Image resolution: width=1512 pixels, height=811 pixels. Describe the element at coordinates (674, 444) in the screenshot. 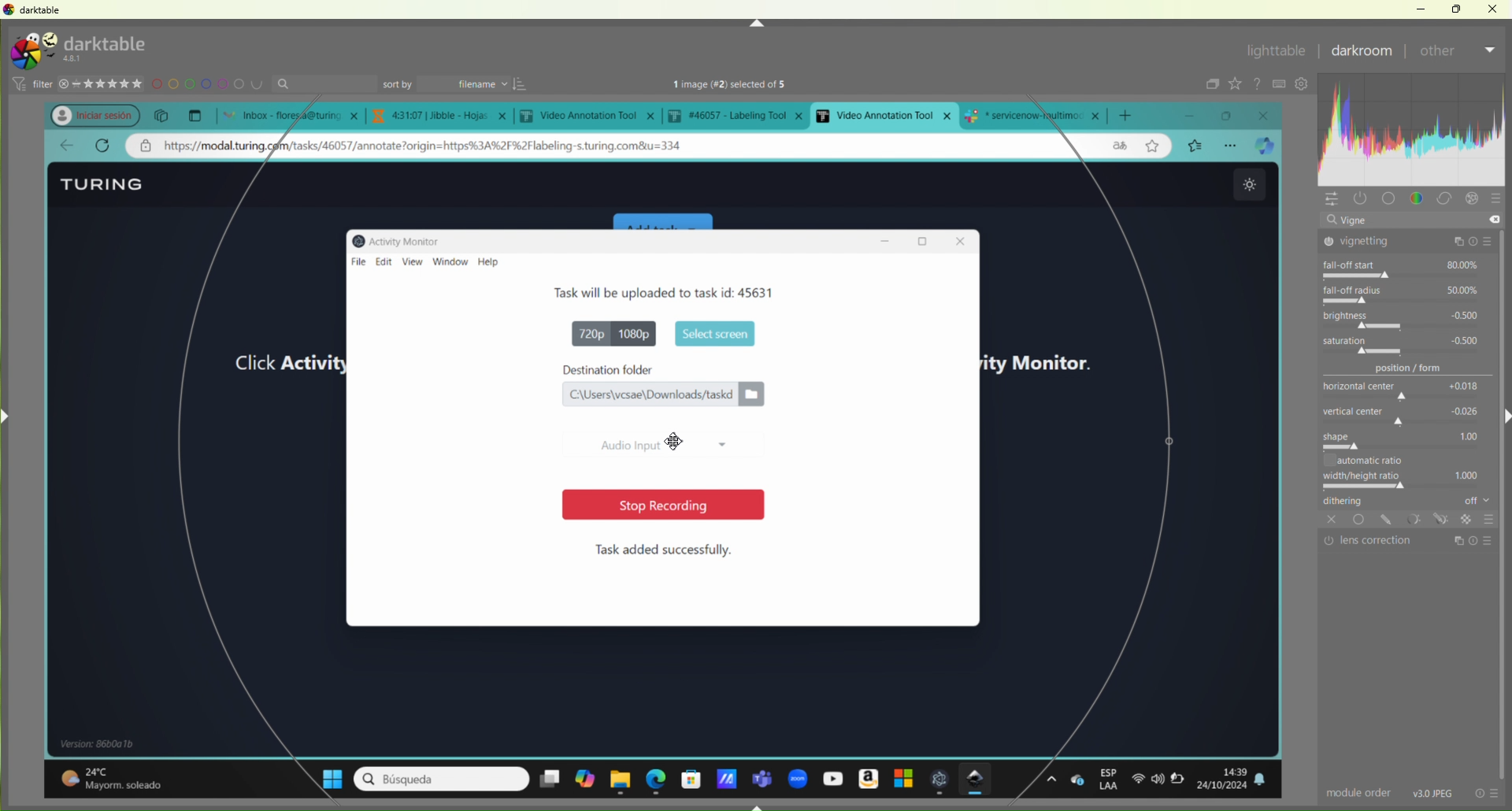

I see `Cursor` at that location.